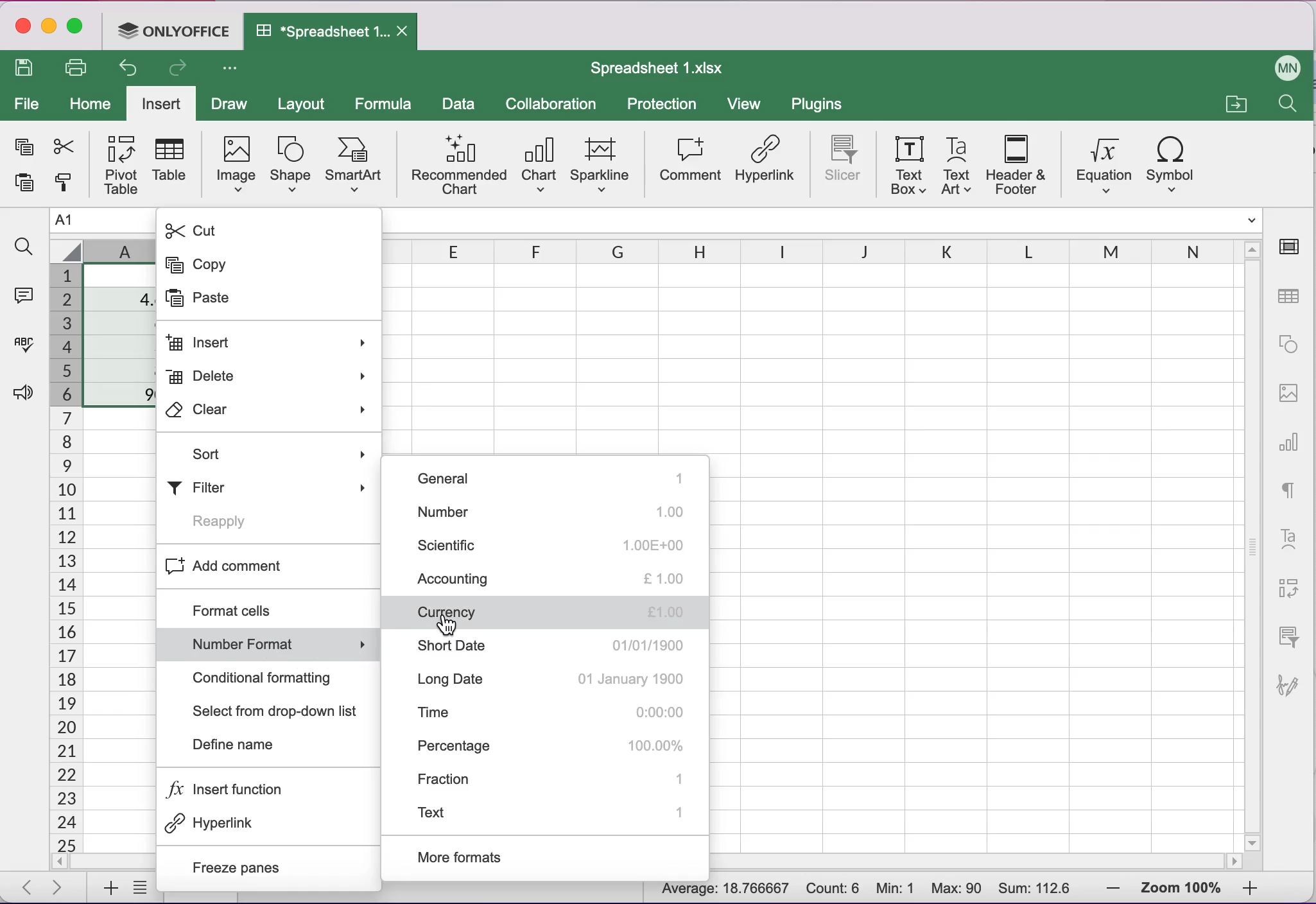  I want to click on Copy, so click(231, 265).